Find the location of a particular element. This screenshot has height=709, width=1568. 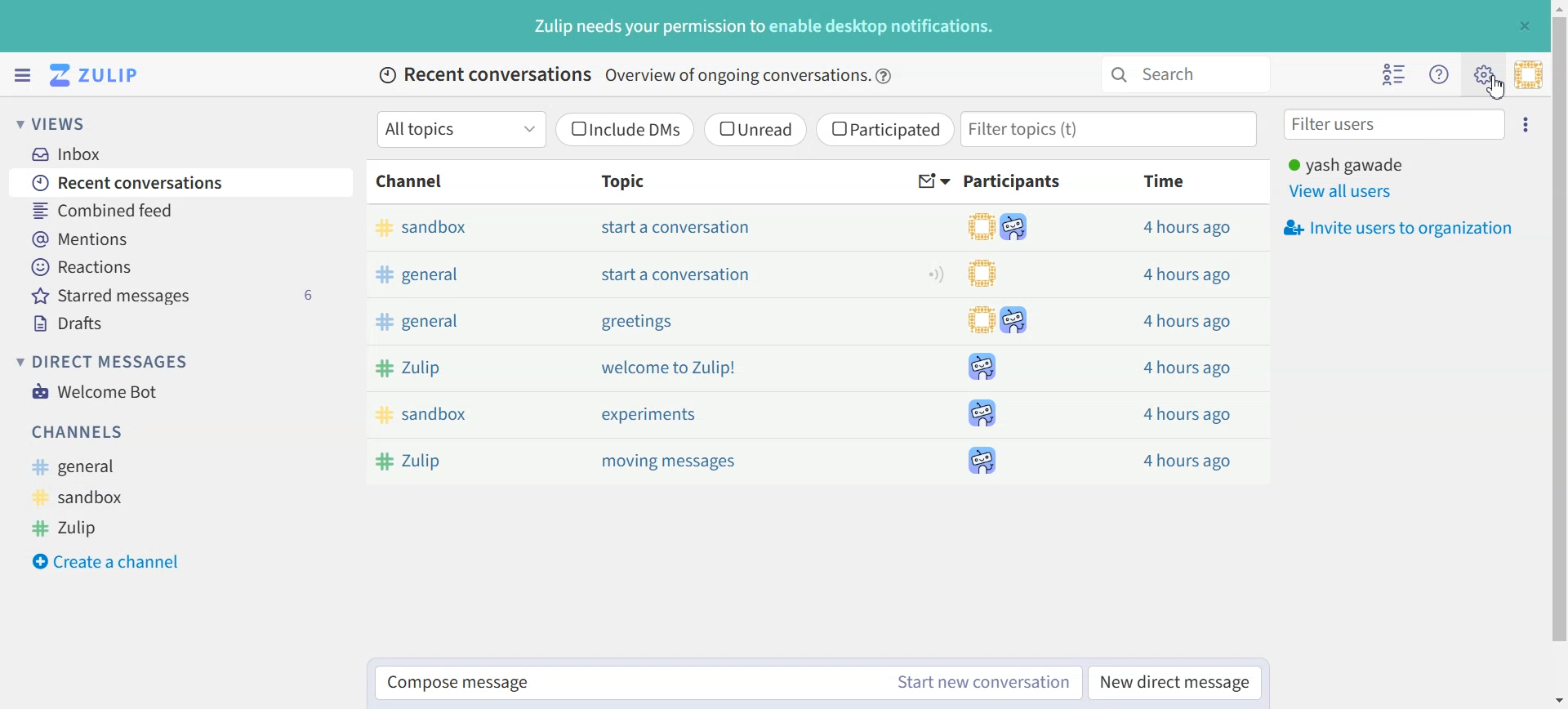

Text is located at coordinates (625, 76).